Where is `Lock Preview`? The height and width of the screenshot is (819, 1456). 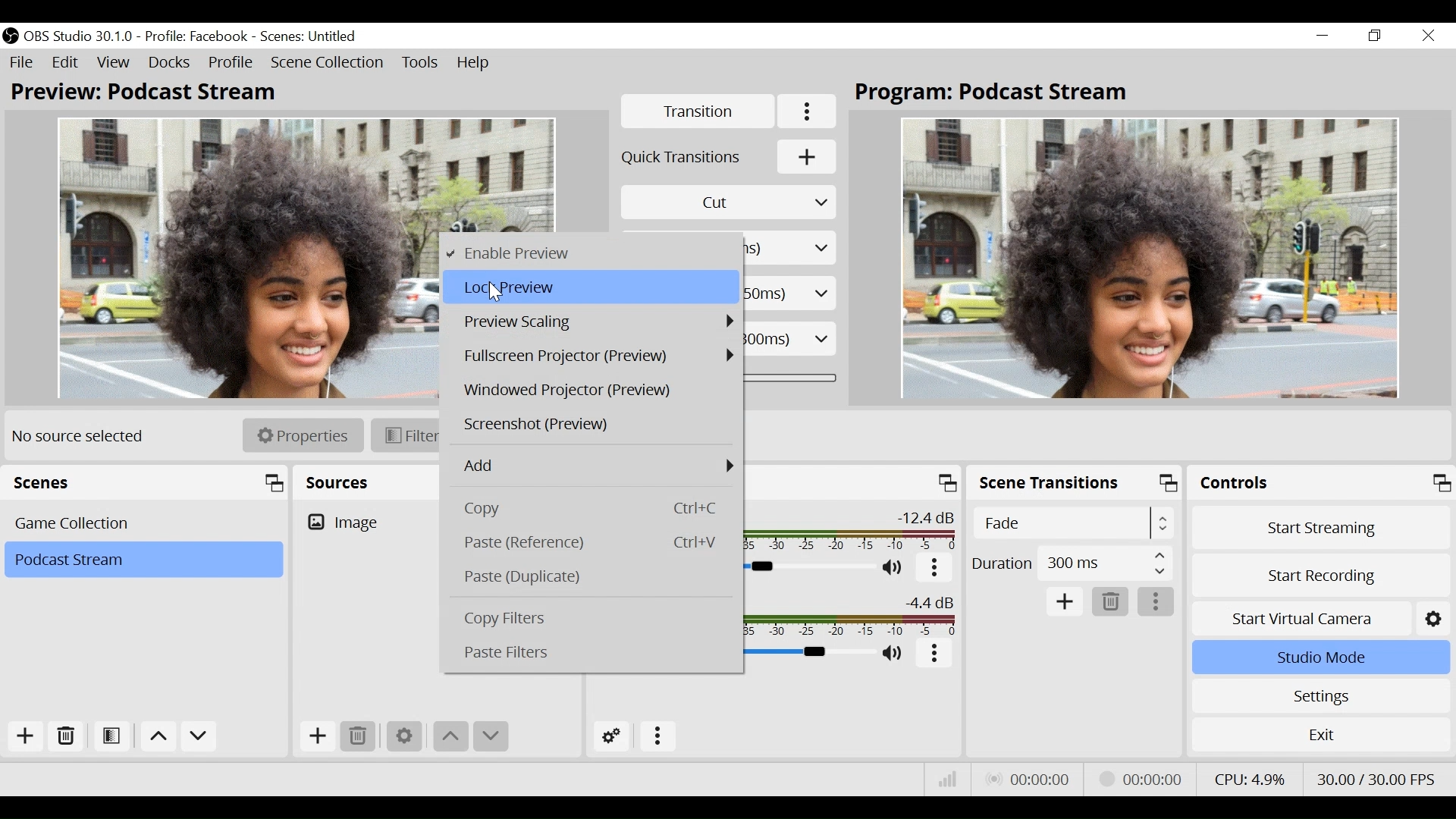
Lock Preview is located at coordinates (590, 287).